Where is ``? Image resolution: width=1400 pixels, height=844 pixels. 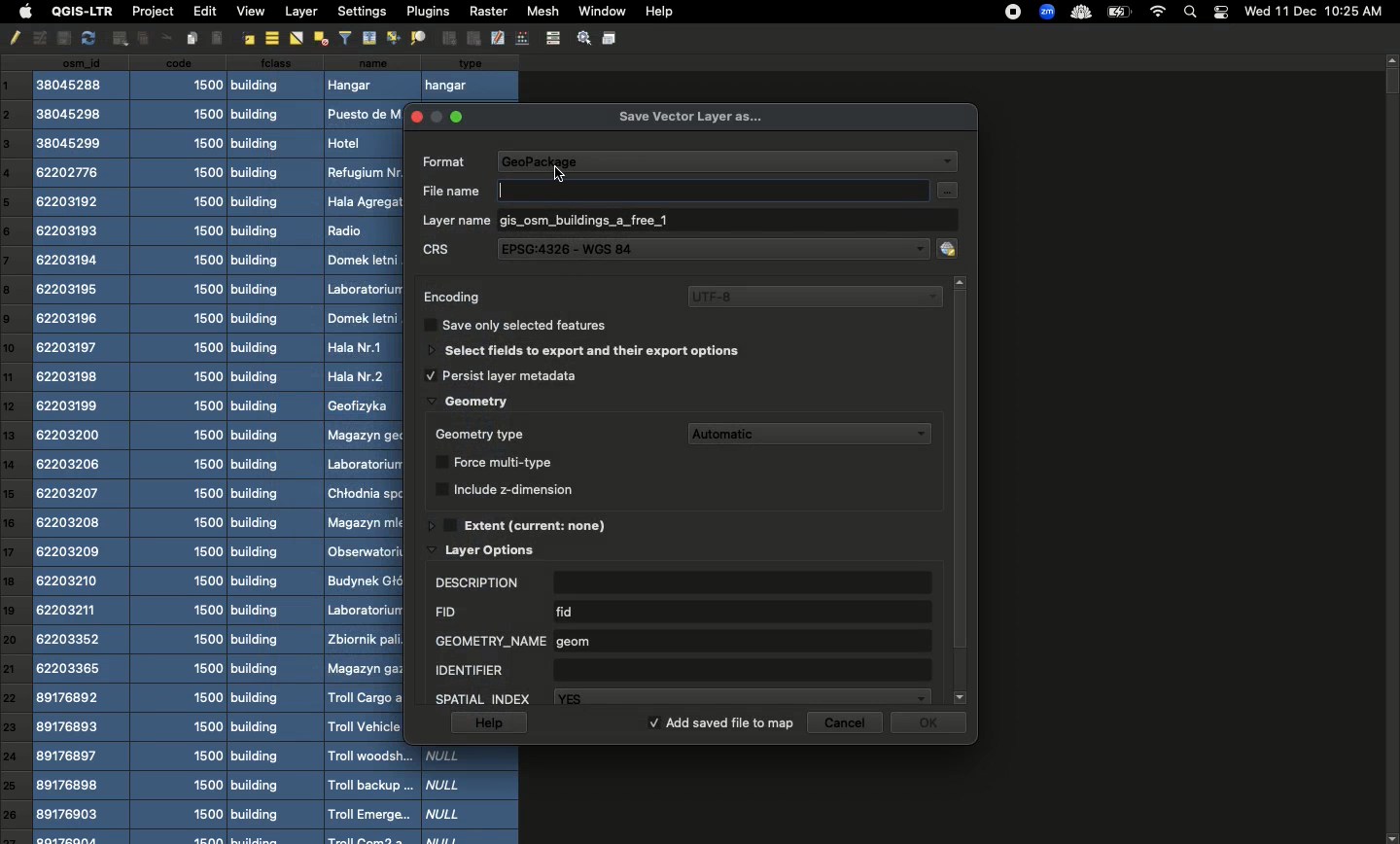
 is located at coordinates (563, 174).